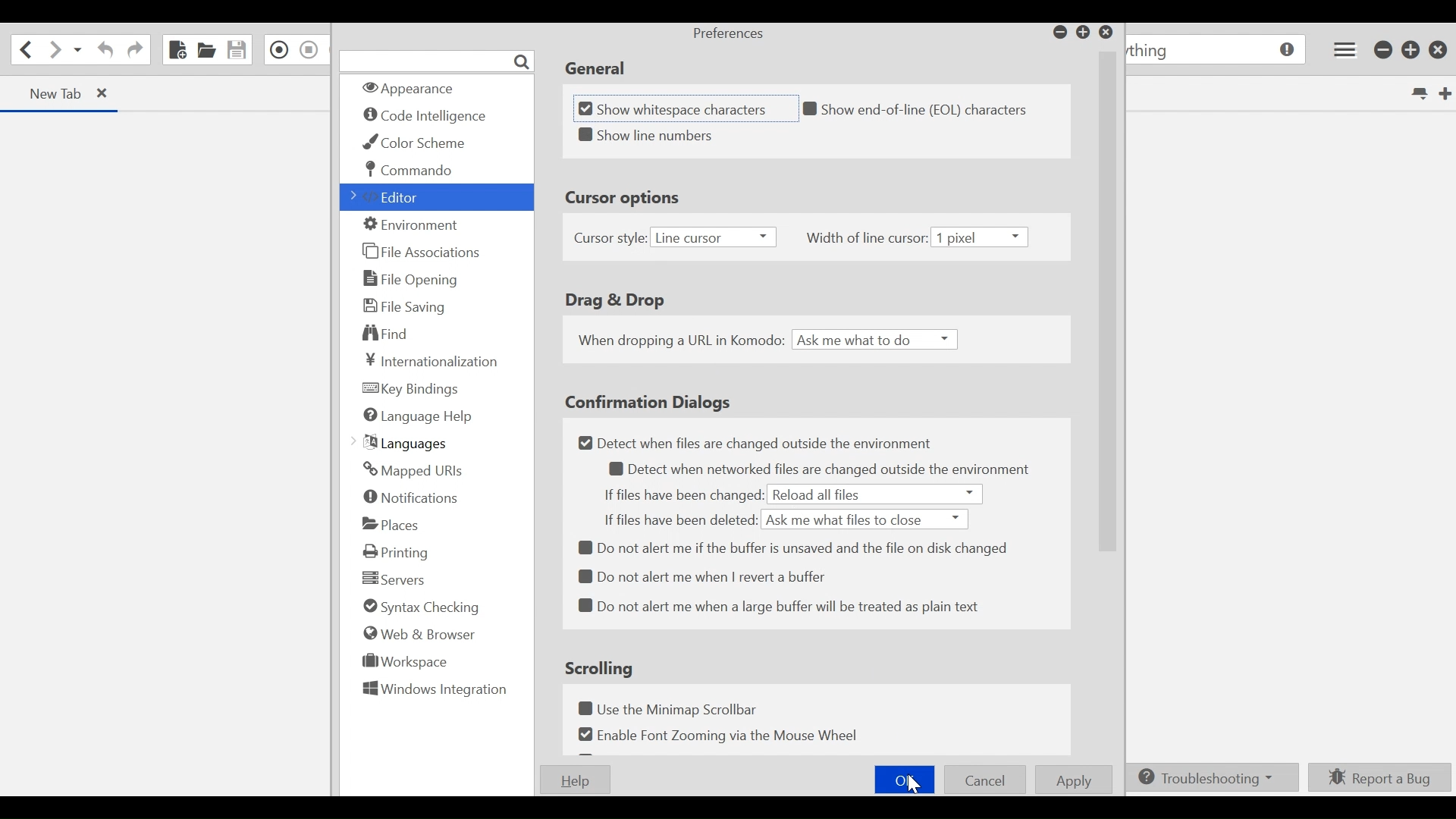  What do you see at coordinates (1437, 49) in the screenshot?
I see `Close` at bounding box center [1437, 49].